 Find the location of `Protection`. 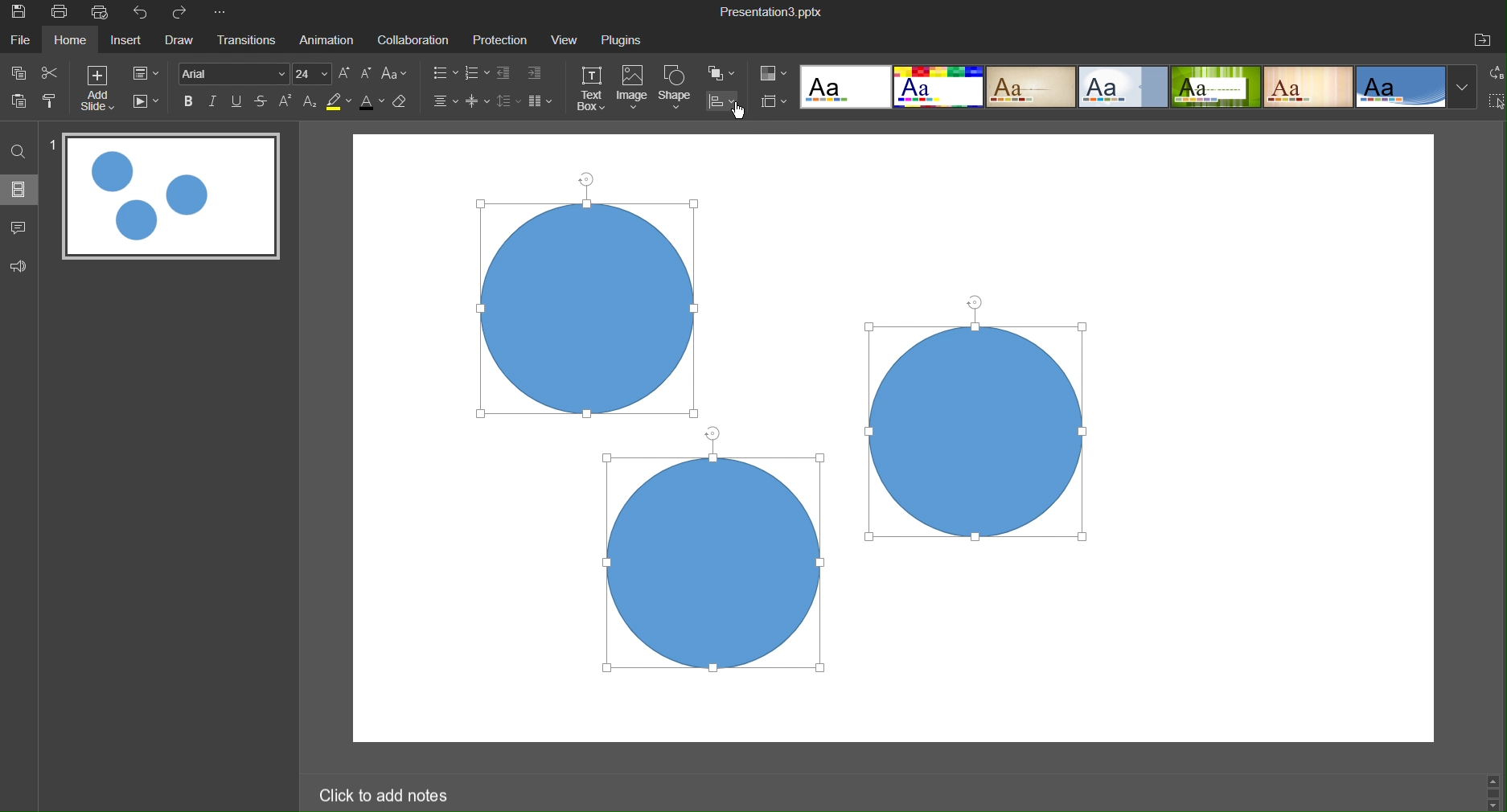

Protection is located at coordinates (502, 40).